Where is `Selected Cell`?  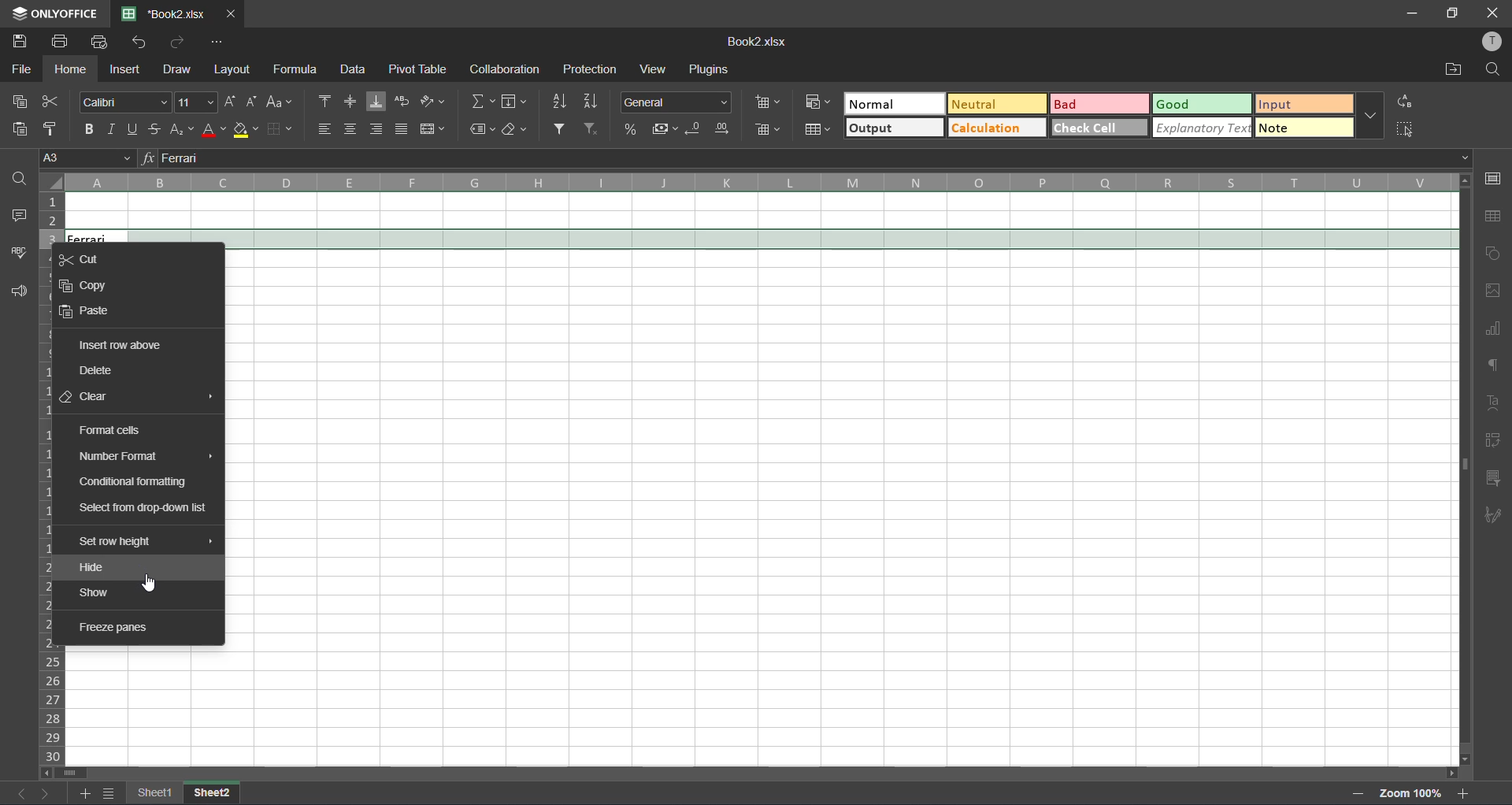
Selected Cell is located at coordinates (766, 237).